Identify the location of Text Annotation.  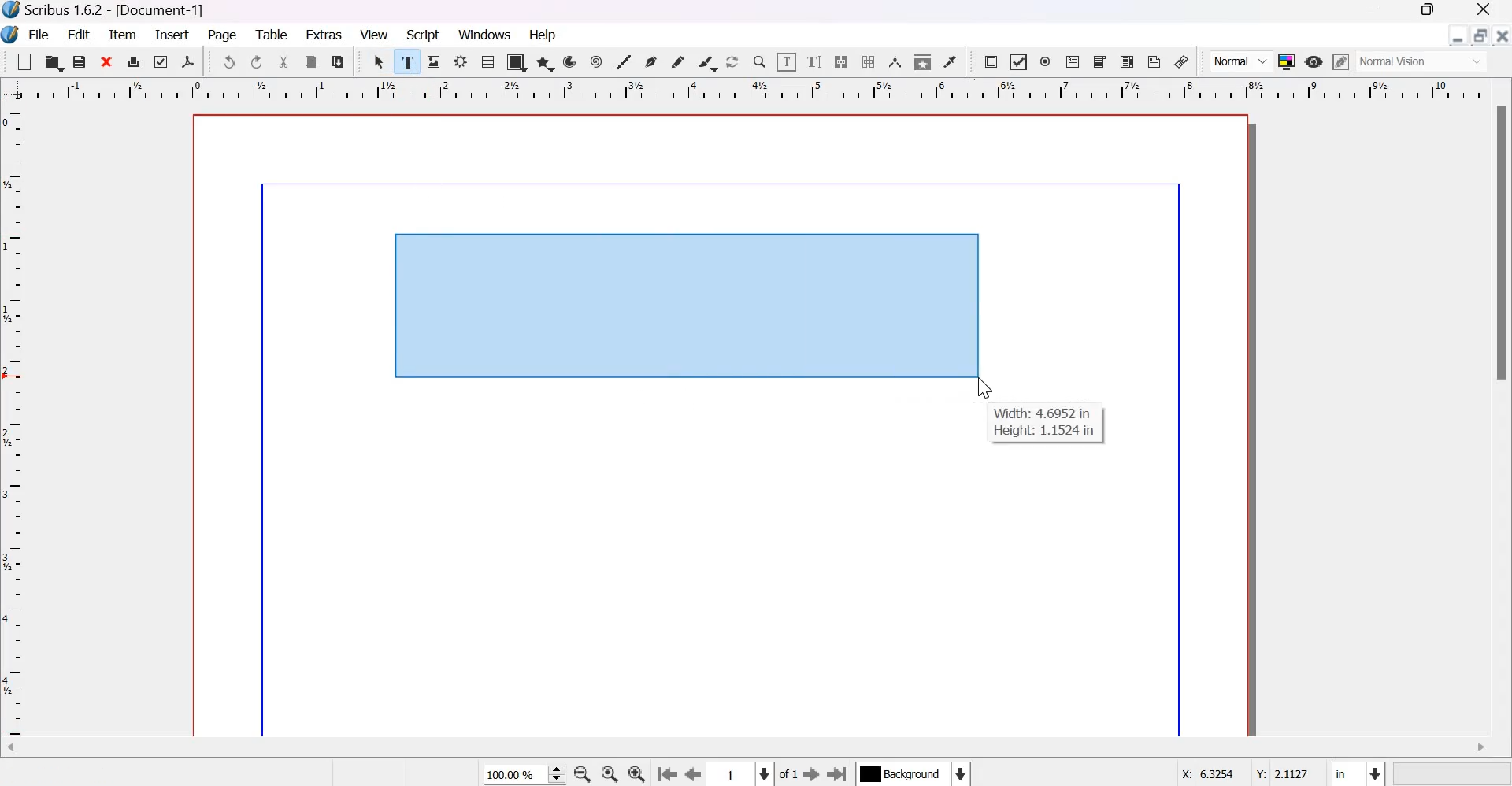
(1154, 61).